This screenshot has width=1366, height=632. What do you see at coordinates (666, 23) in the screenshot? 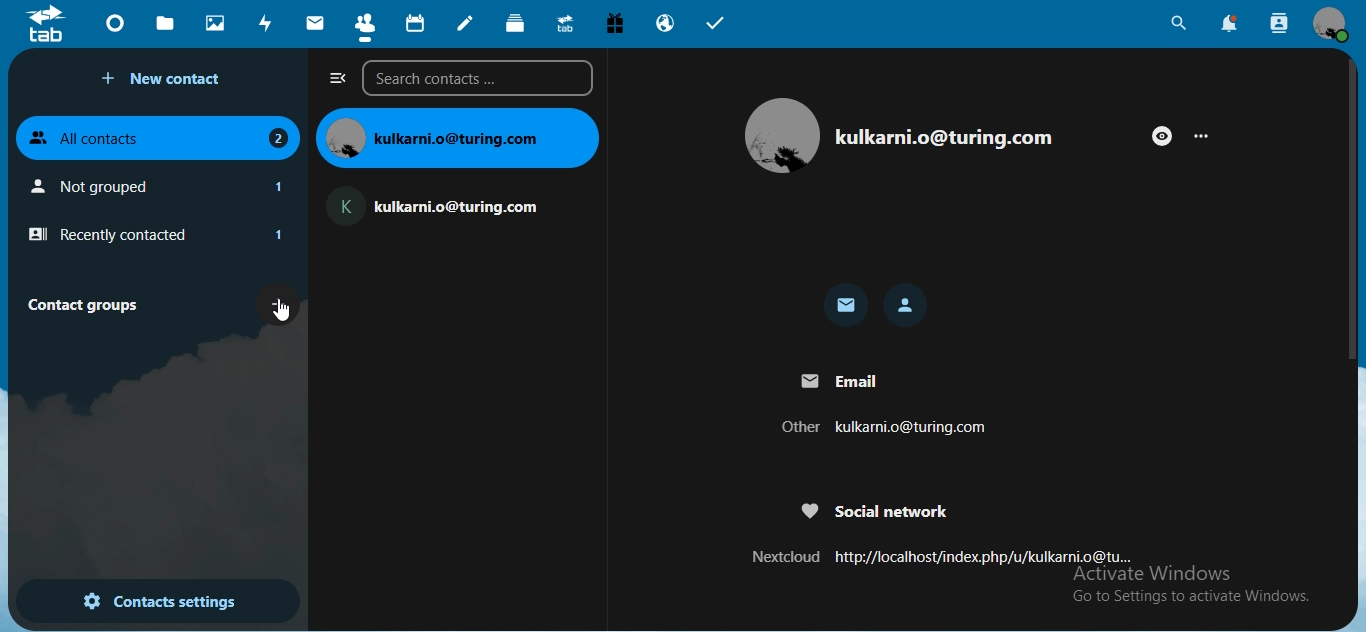
I see `email hosting` at bounding box center [666, 23].